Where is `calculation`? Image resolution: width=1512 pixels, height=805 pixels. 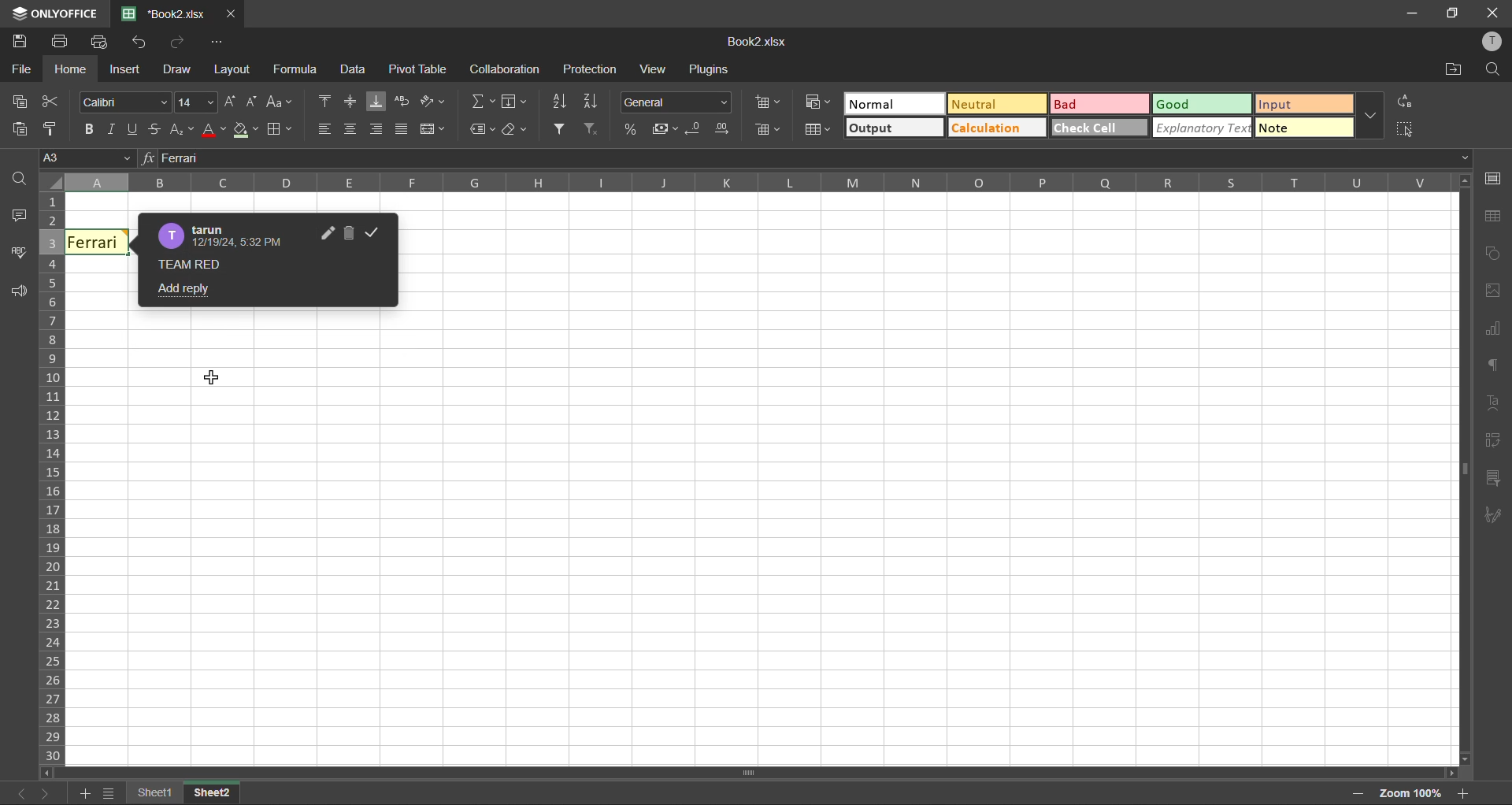 calculation is located at coordinates (992, 128).